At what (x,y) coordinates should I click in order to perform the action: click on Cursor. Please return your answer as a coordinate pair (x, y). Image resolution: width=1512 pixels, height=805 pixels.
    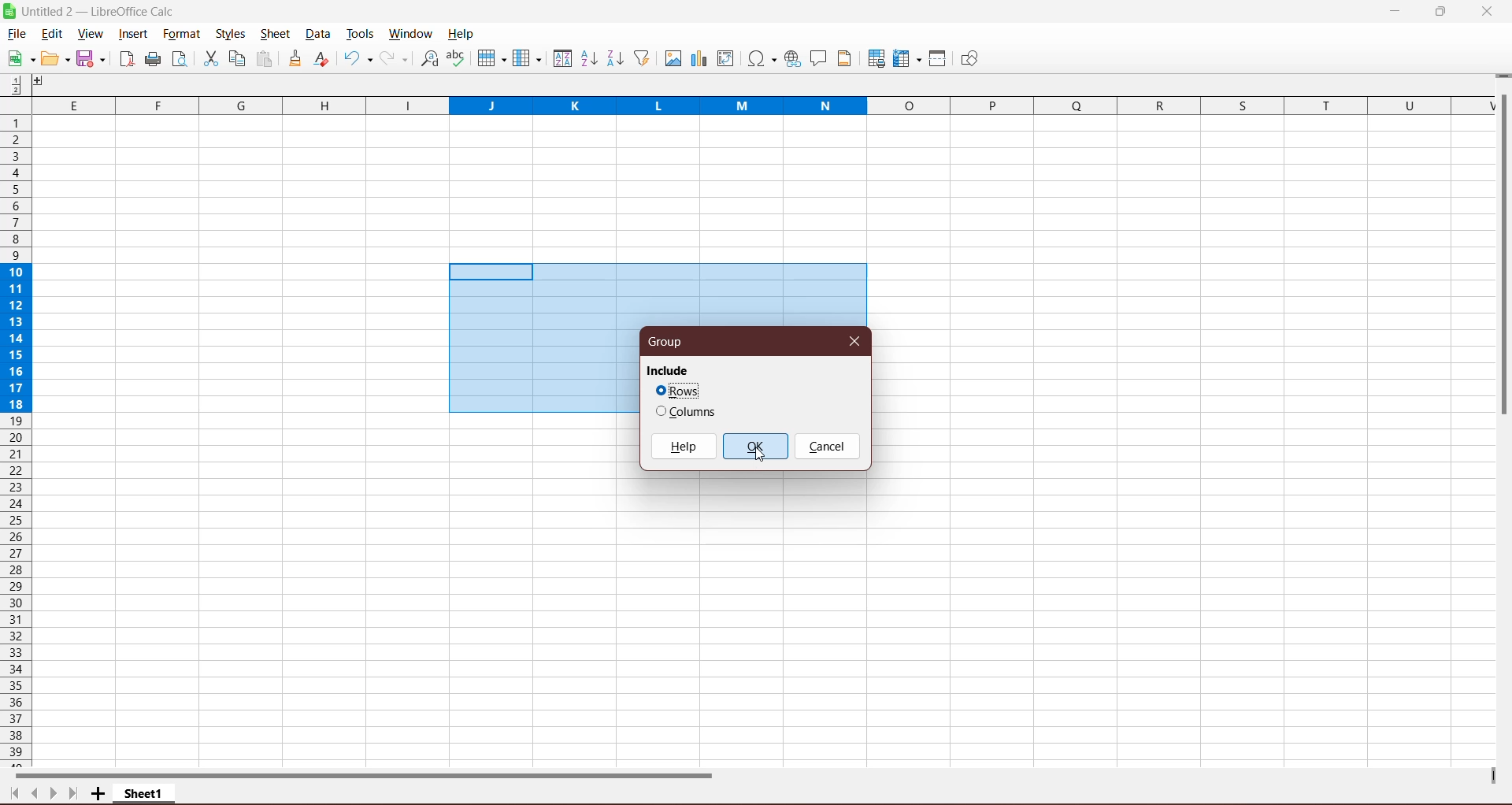
    Looking at the image, I should click on (759, 456).